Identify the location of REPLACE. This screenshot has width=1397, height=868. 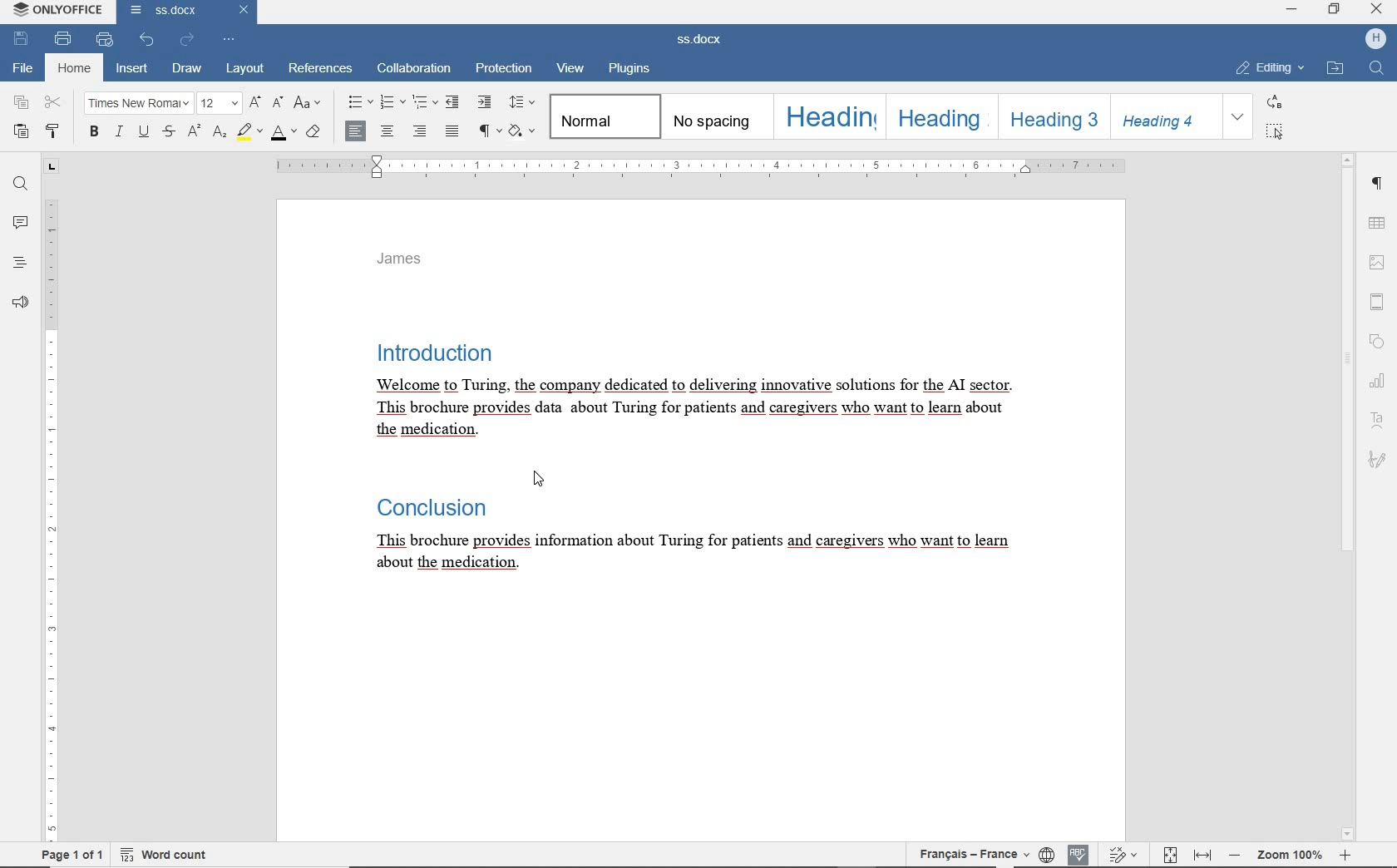
(1274, 101).